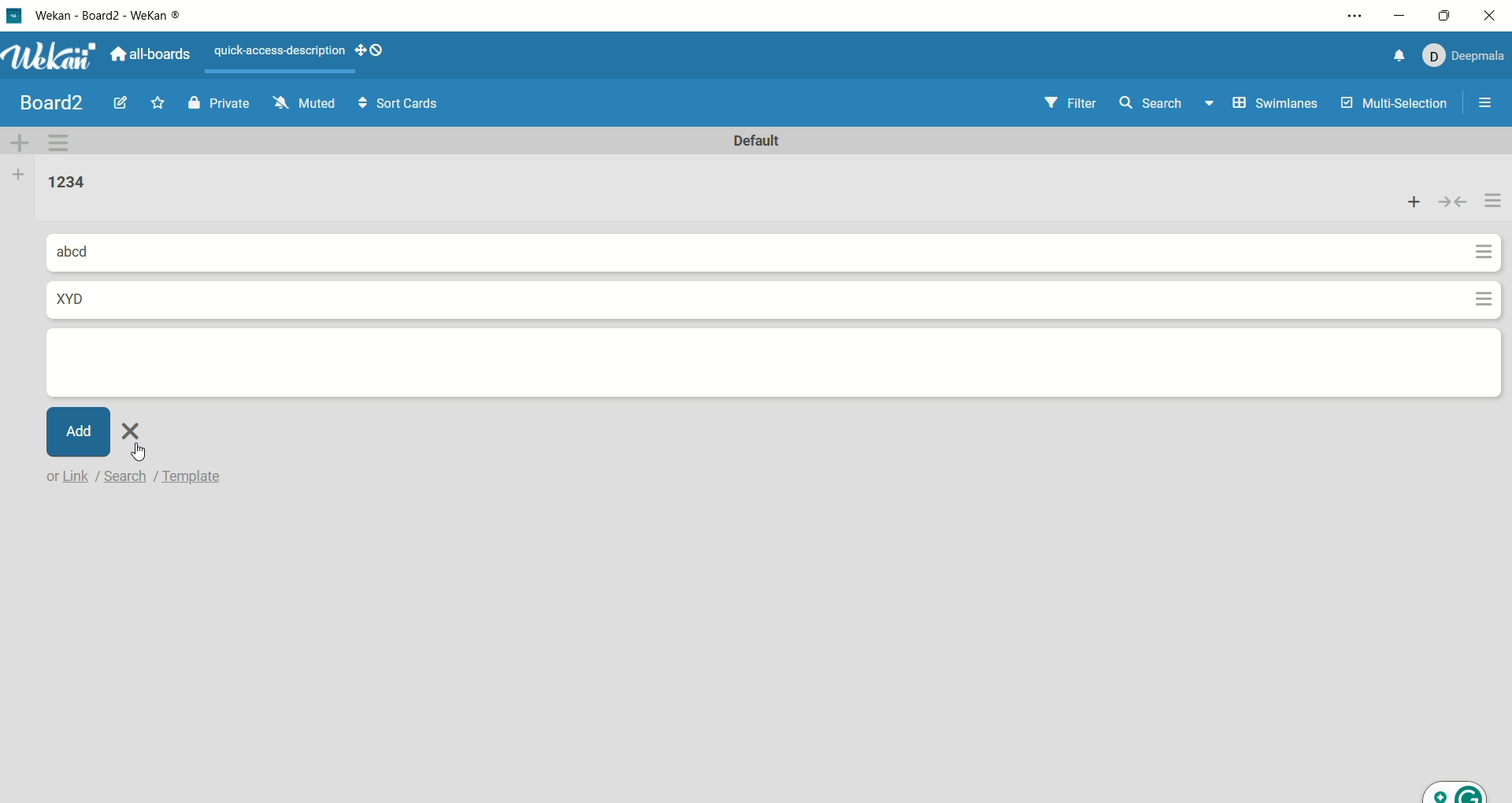 The height and width of the screenshot is (803, 1512). I want to click on text, so click(272, 48).